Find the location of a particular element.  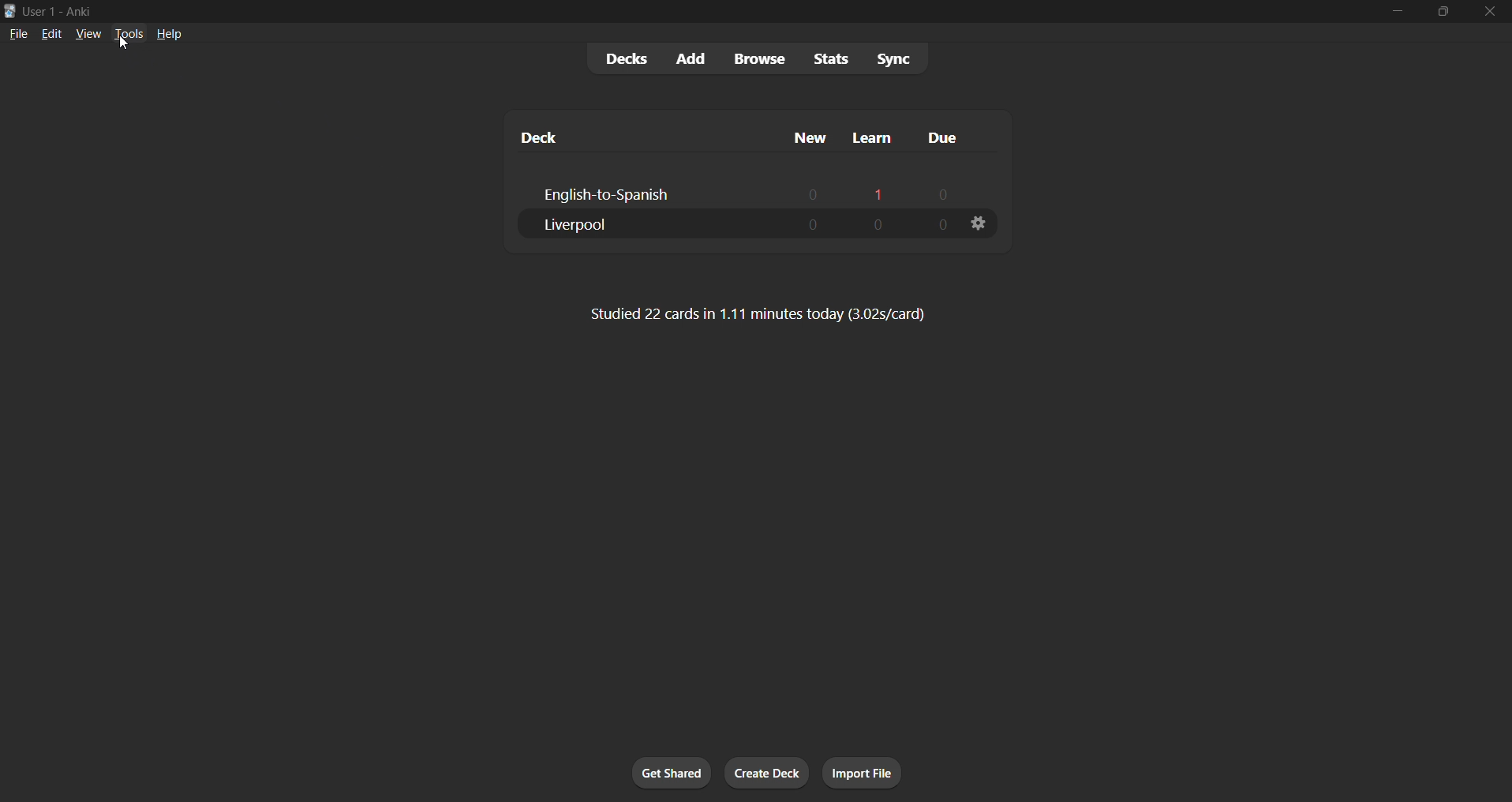

minimize is located at coordinates (1388, 12).